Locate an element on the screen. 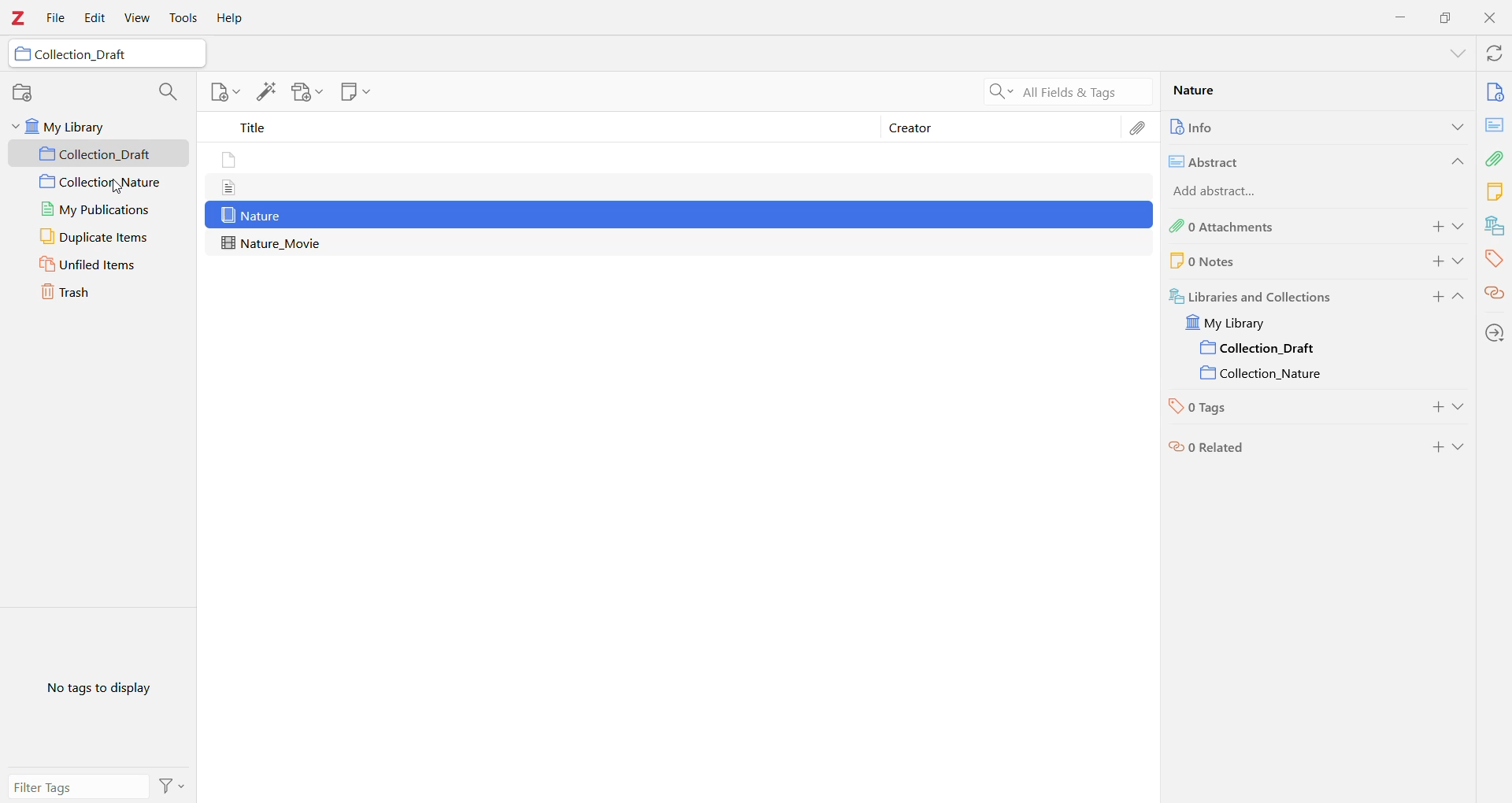 The image size is (1512, 803). Abstract is located at coordinates (1495, 124).